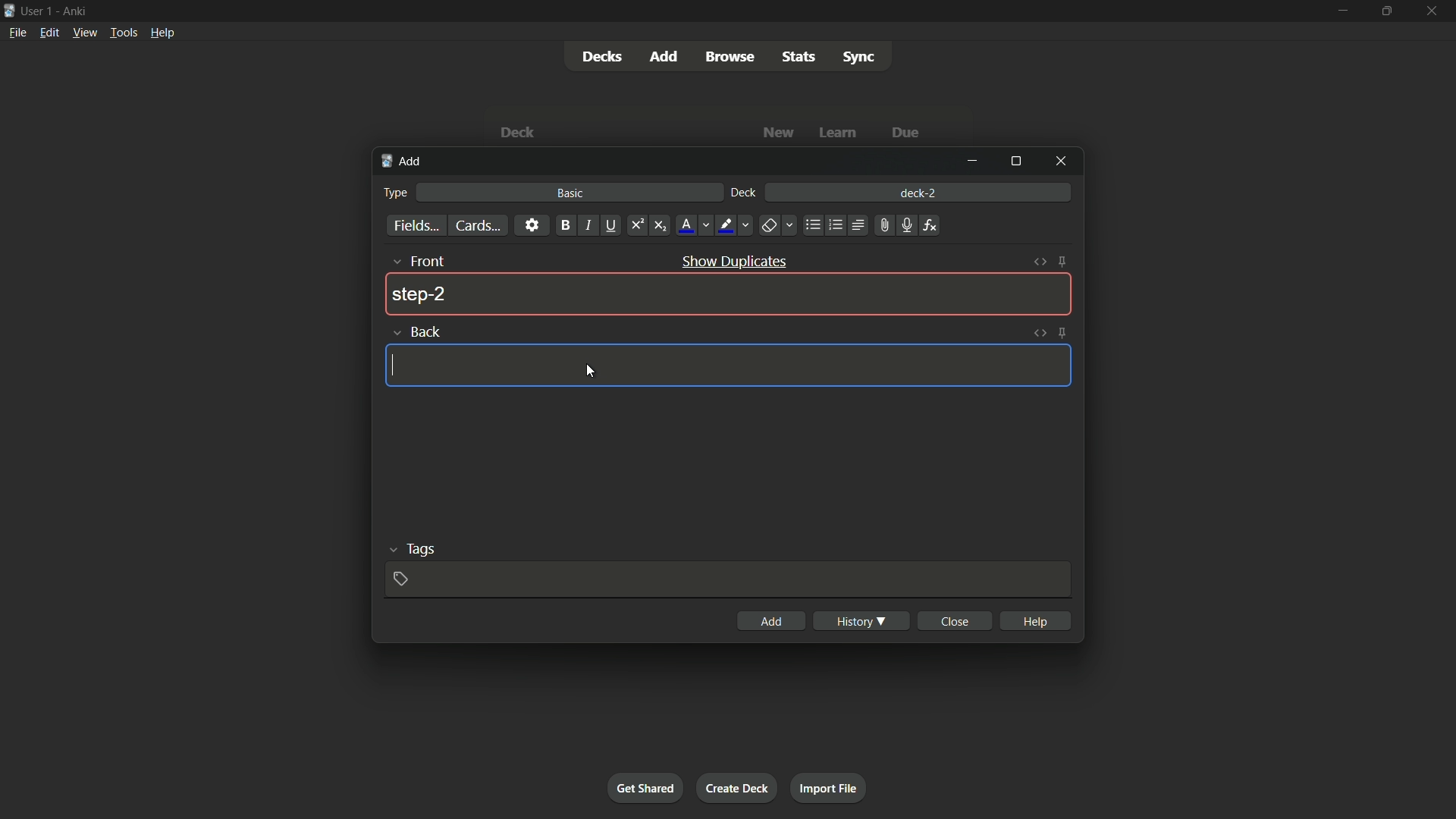 Image resolution: width=1456 pixels, height=819 pixels. What do you see at coordinates (587, 226) in the screenshot?
I see `italic` at bounding box center [587, 226].